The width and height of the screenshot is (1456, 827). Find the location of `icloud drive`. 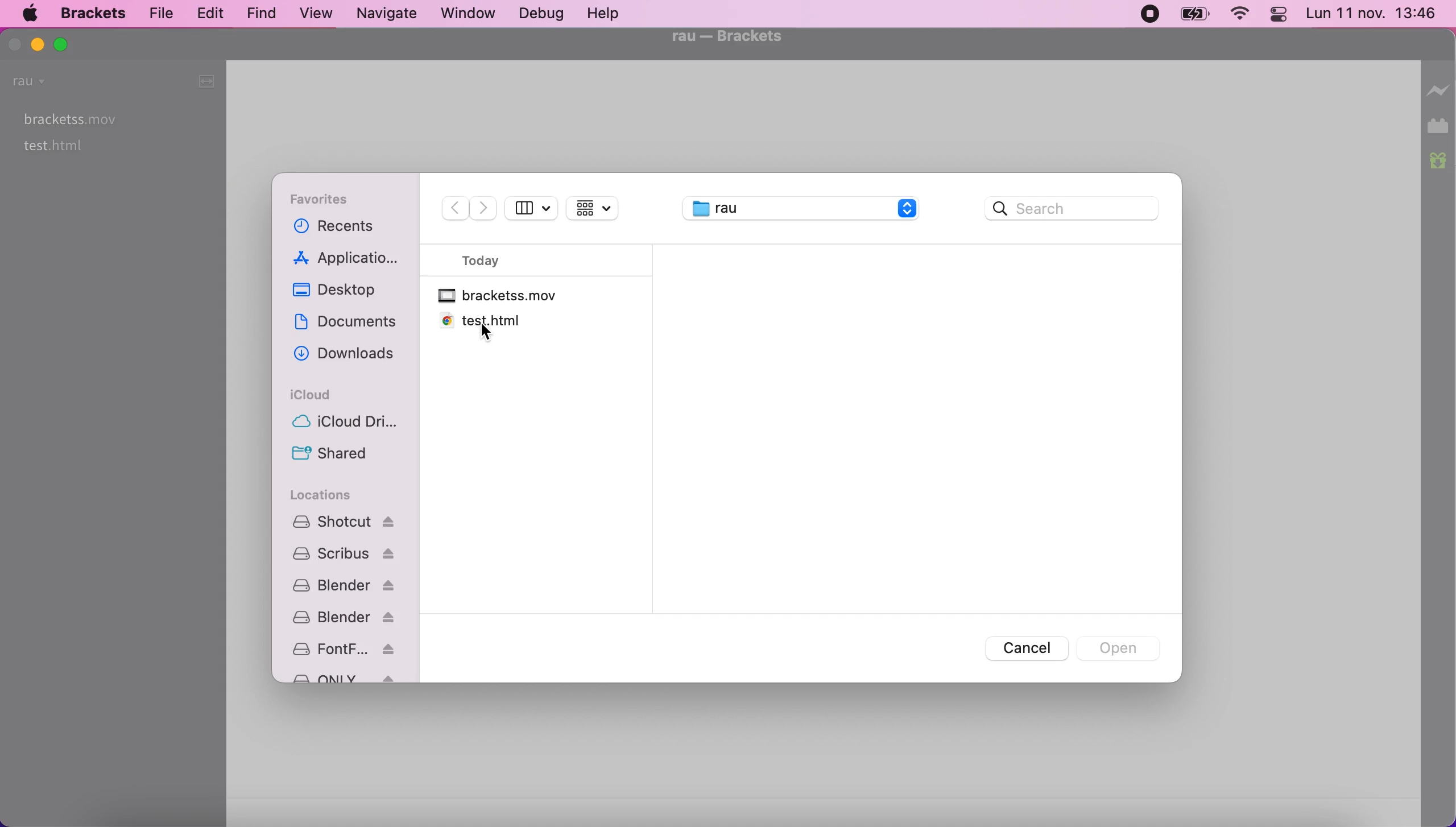

icloud drive is located at coordinates (349, 424).